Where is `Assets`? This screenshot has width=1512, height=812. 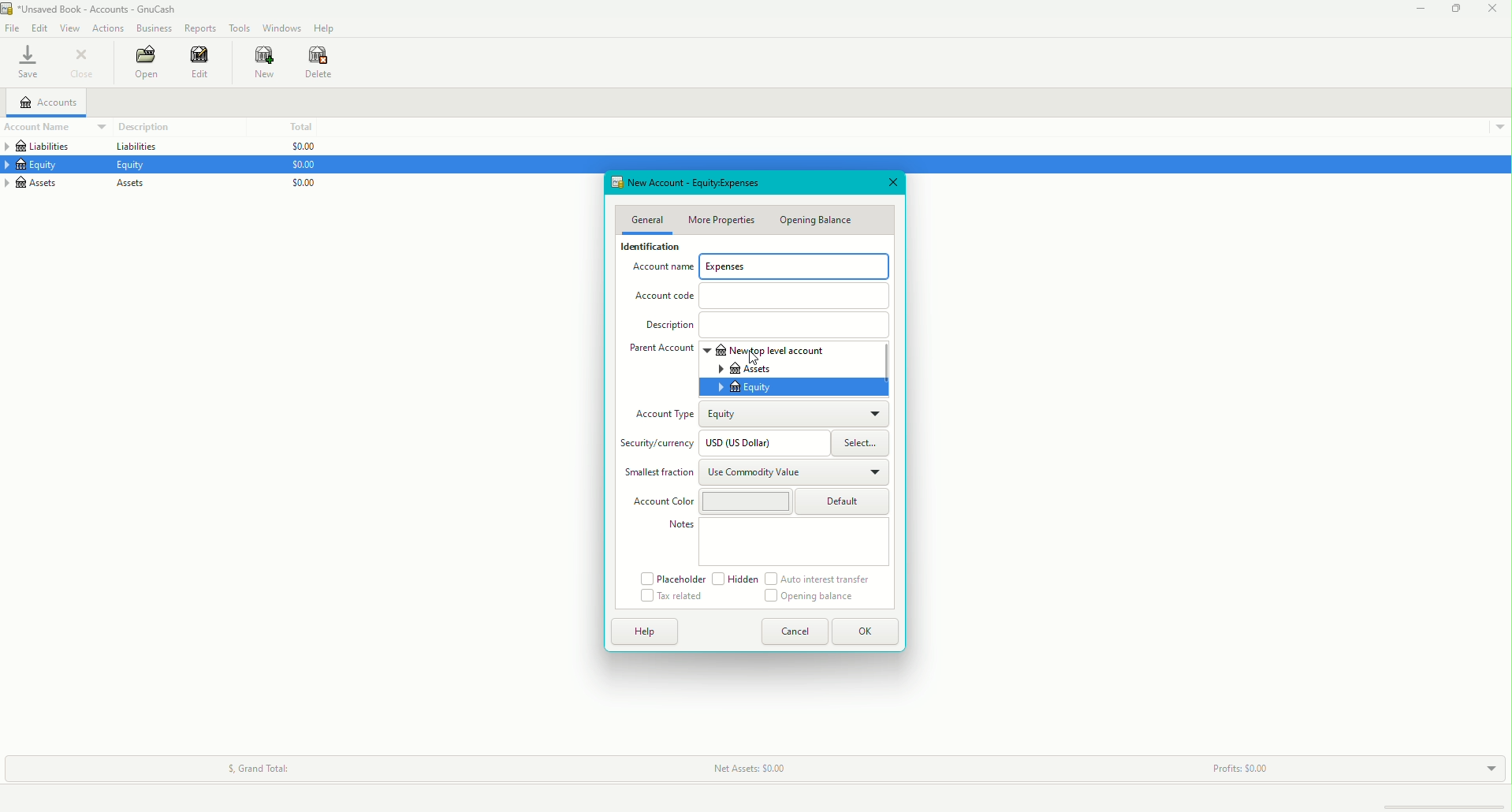
Assets is located at coordinates (46, 182).